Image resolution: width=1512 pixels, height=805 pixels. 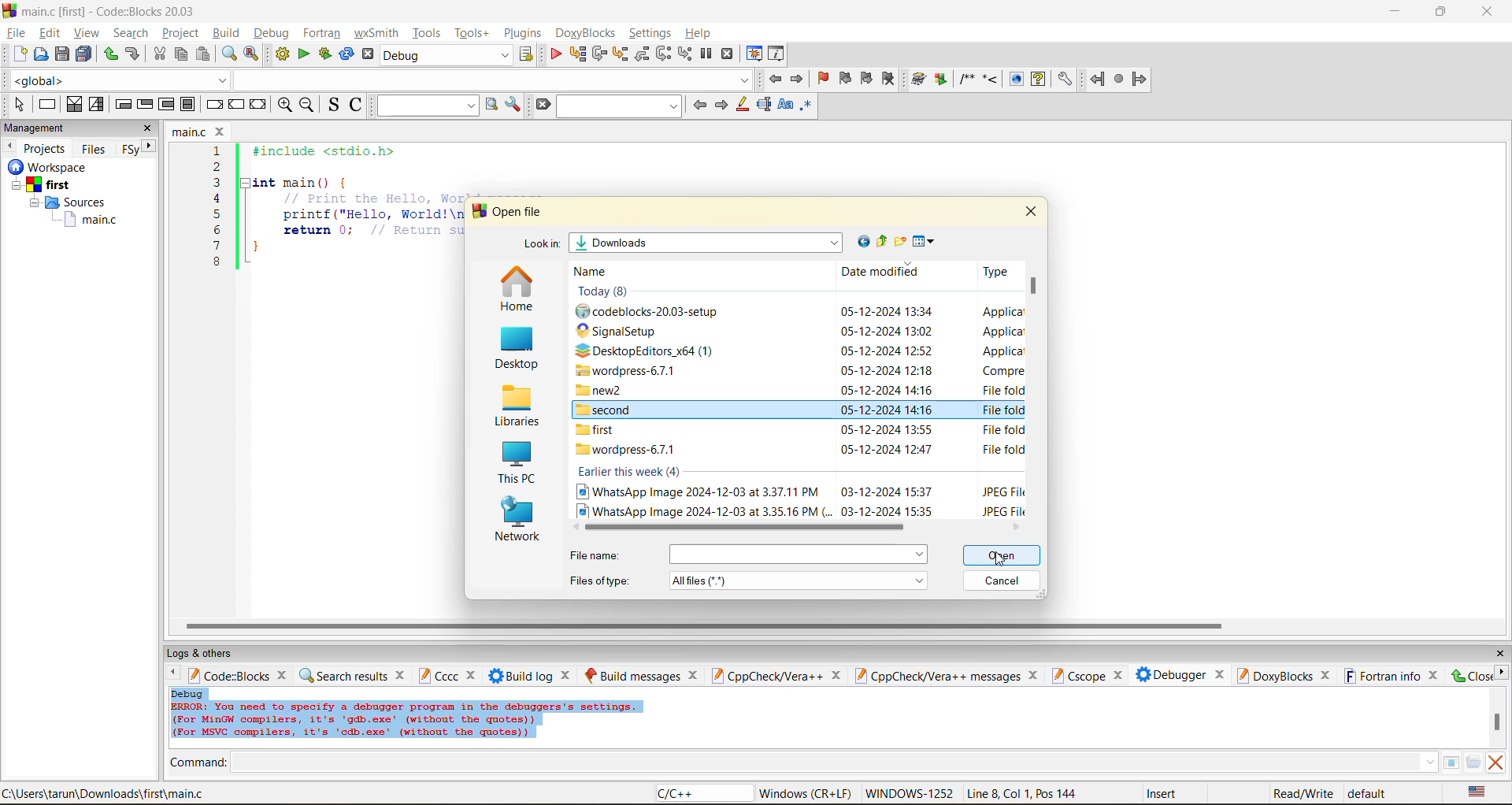 I want to click on type, so click(x=1002, y=370).